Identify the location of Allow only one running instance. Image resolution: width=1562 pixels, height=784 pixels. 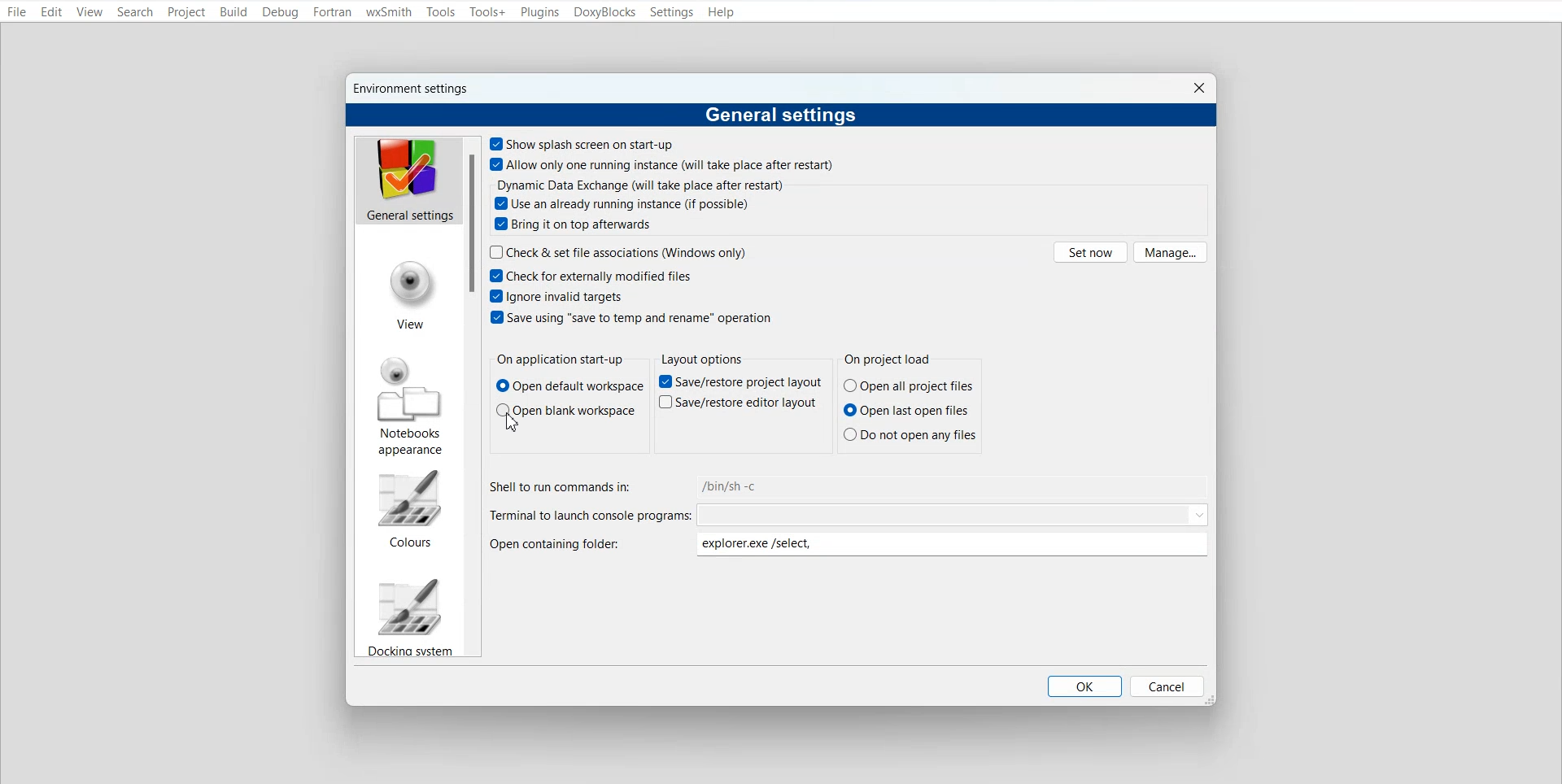
(664, 164).